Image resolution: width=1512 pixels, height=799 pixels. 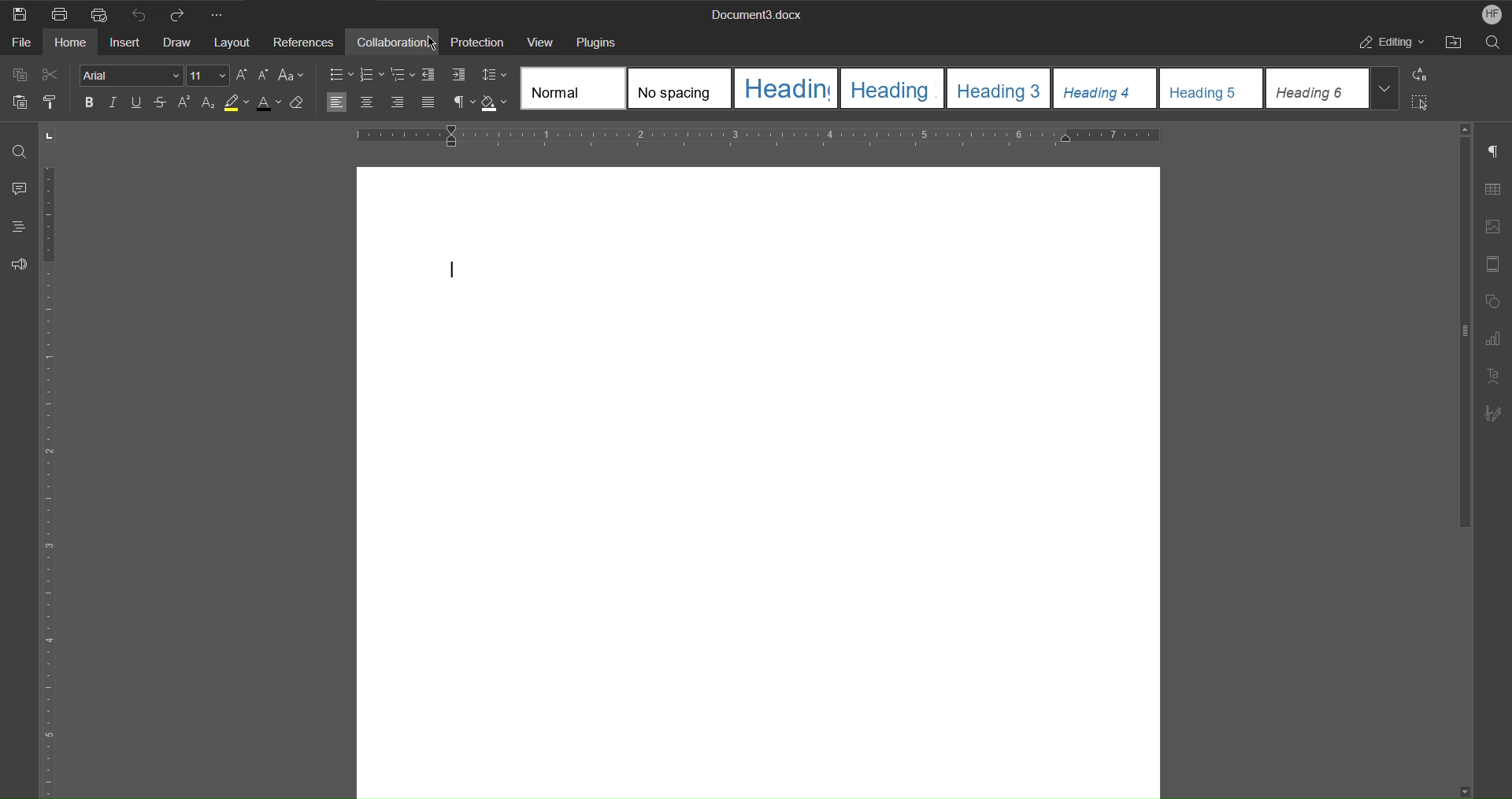 I want to click on Feedback and Support, so click(x=17, y=262).